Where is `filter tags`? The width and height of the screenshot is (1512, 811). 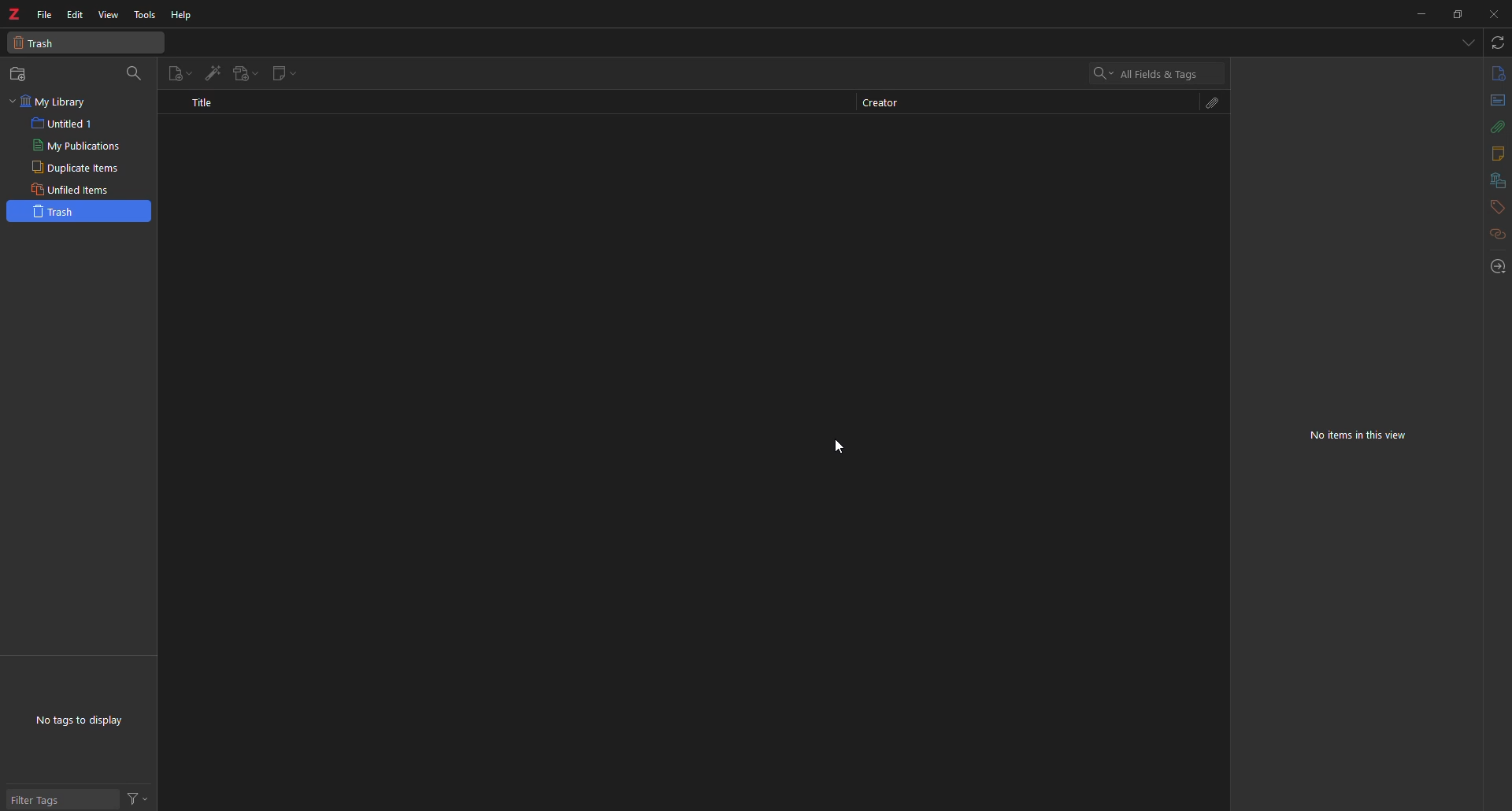
filter tags is located at coordinates (47, 798).